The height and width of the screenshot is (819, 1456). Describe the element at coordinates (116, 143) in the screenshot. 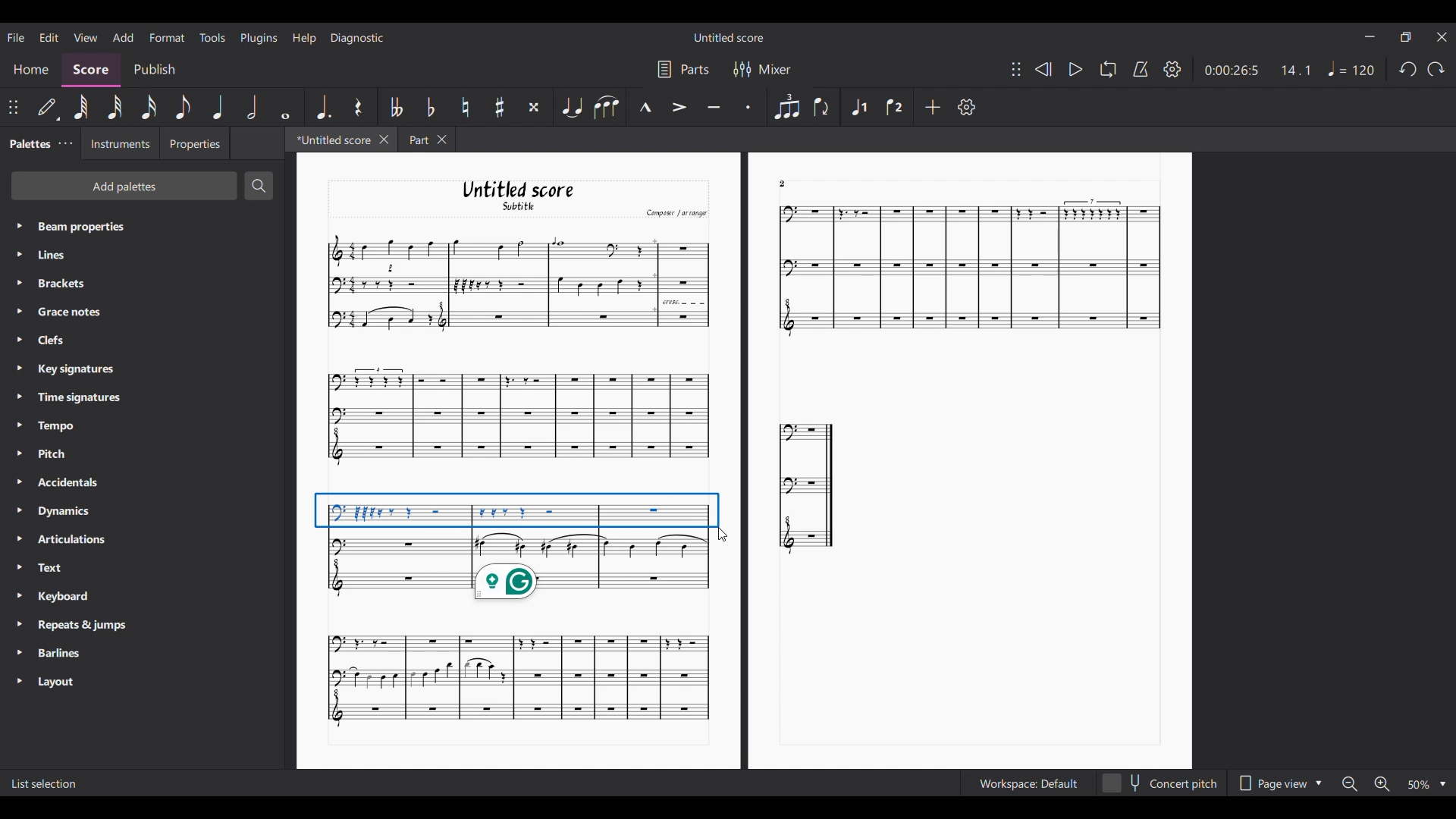

I see `Instruments` at that location.